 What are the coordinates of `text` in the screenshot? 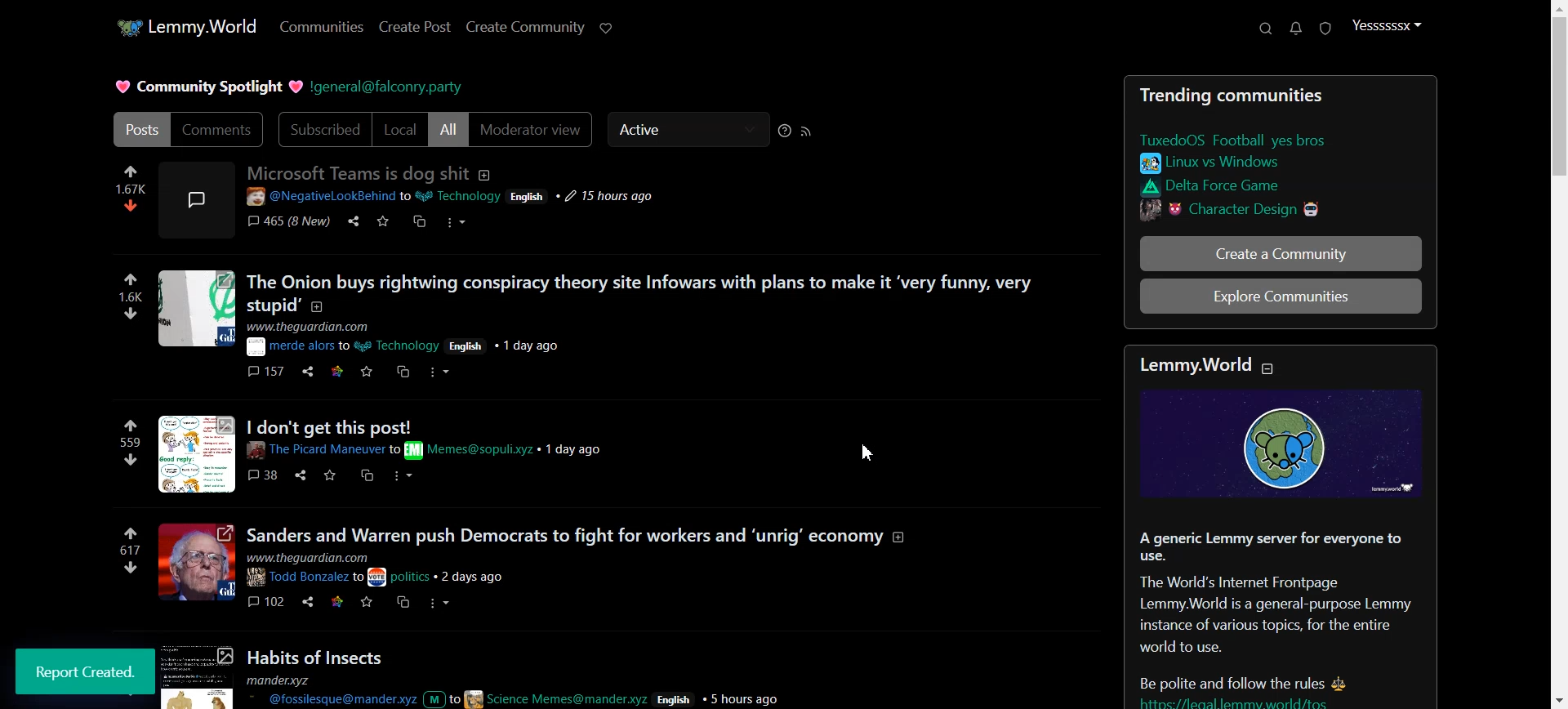 It's located at (1217, 368).